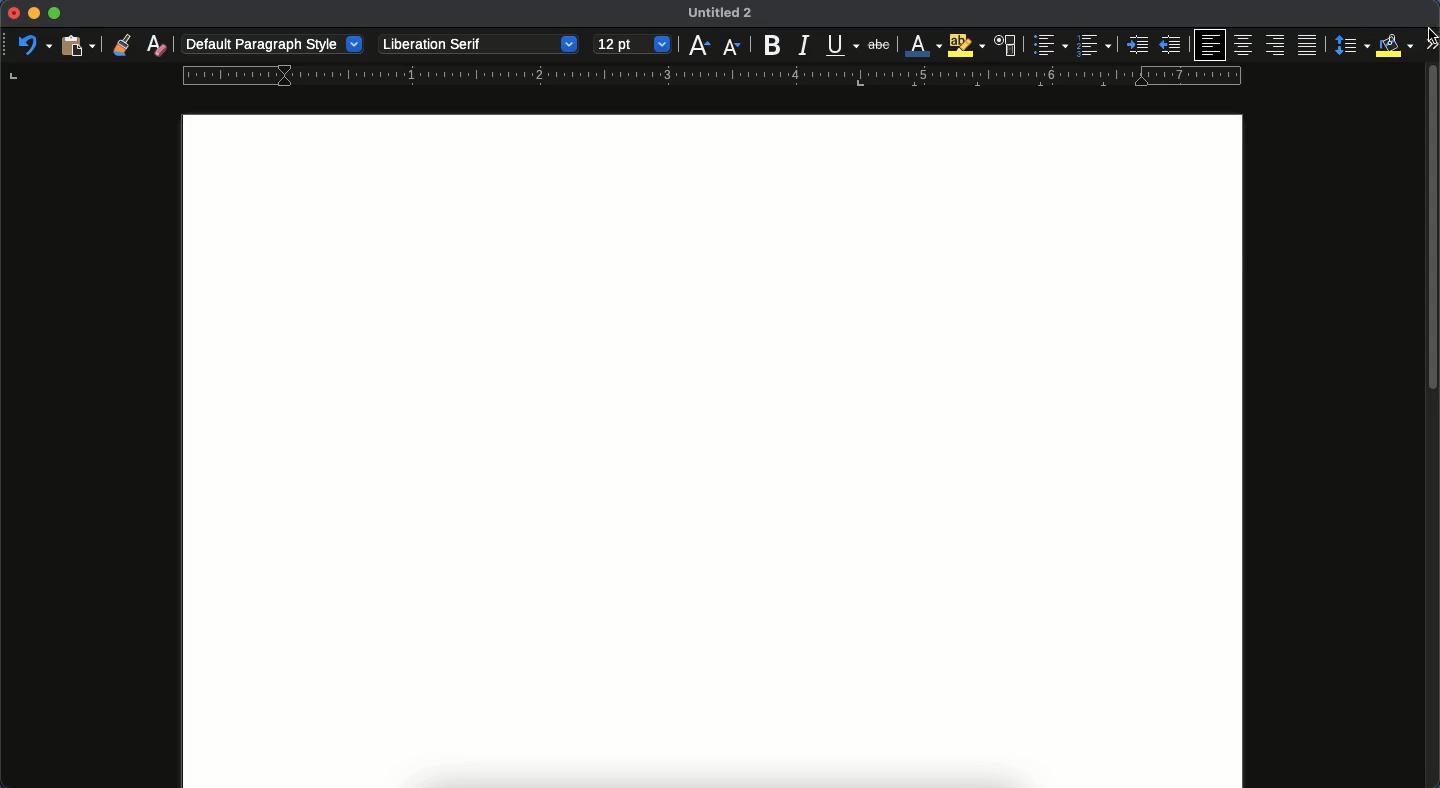 The image size is (1440, 788). What do you see at coordinates (1427, 32) in the screenshot?
I see `Cursor` at bounding box center [1427, 32].